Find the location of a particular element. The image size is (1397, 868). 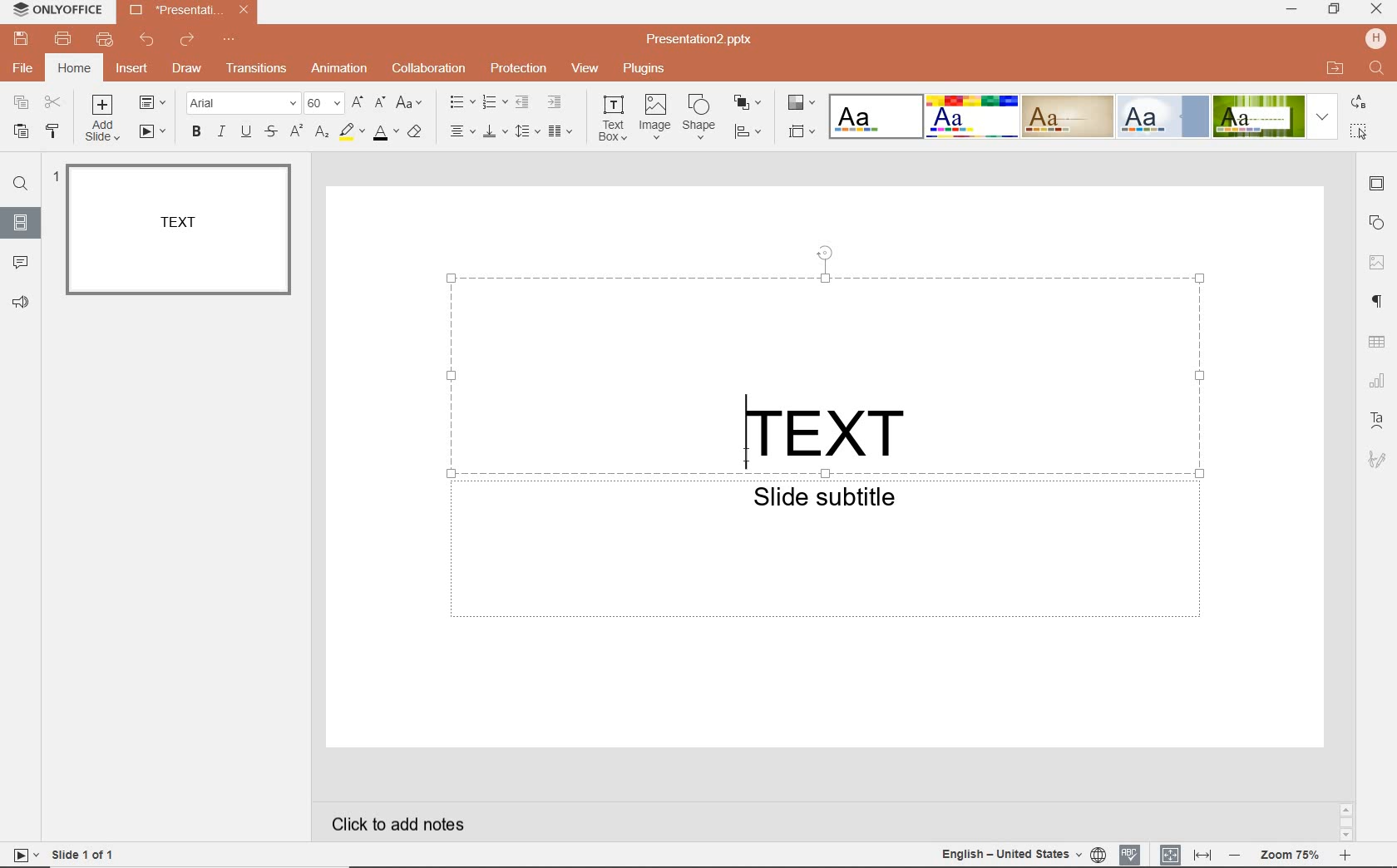

SPELL CHECKING is located at coordinates (1131, 852).